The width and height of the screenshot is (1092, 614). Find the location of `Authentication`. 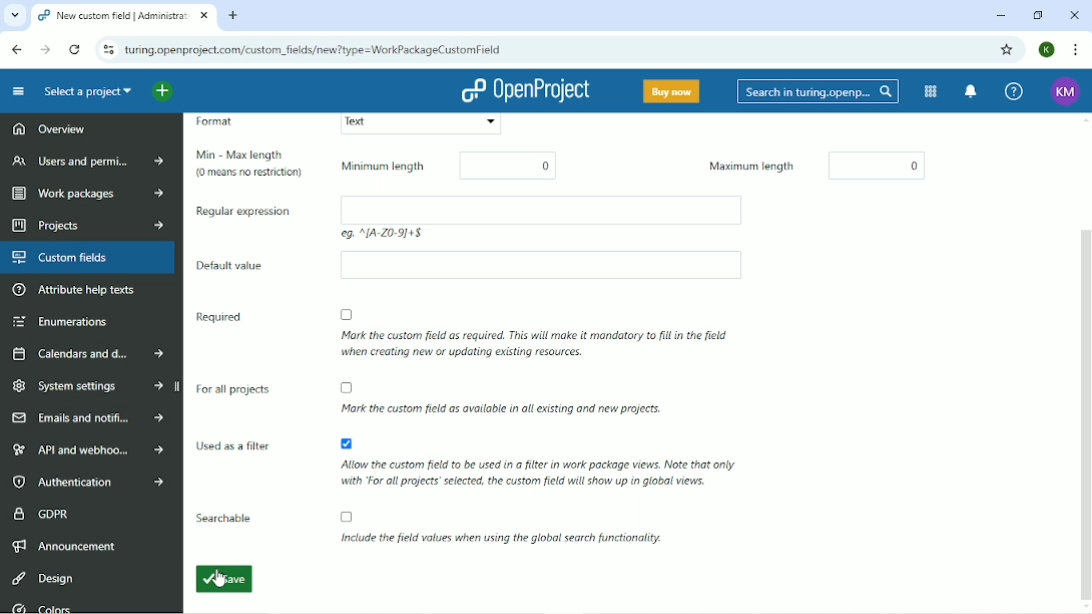

Authentication is located at coordinates (93, 482).